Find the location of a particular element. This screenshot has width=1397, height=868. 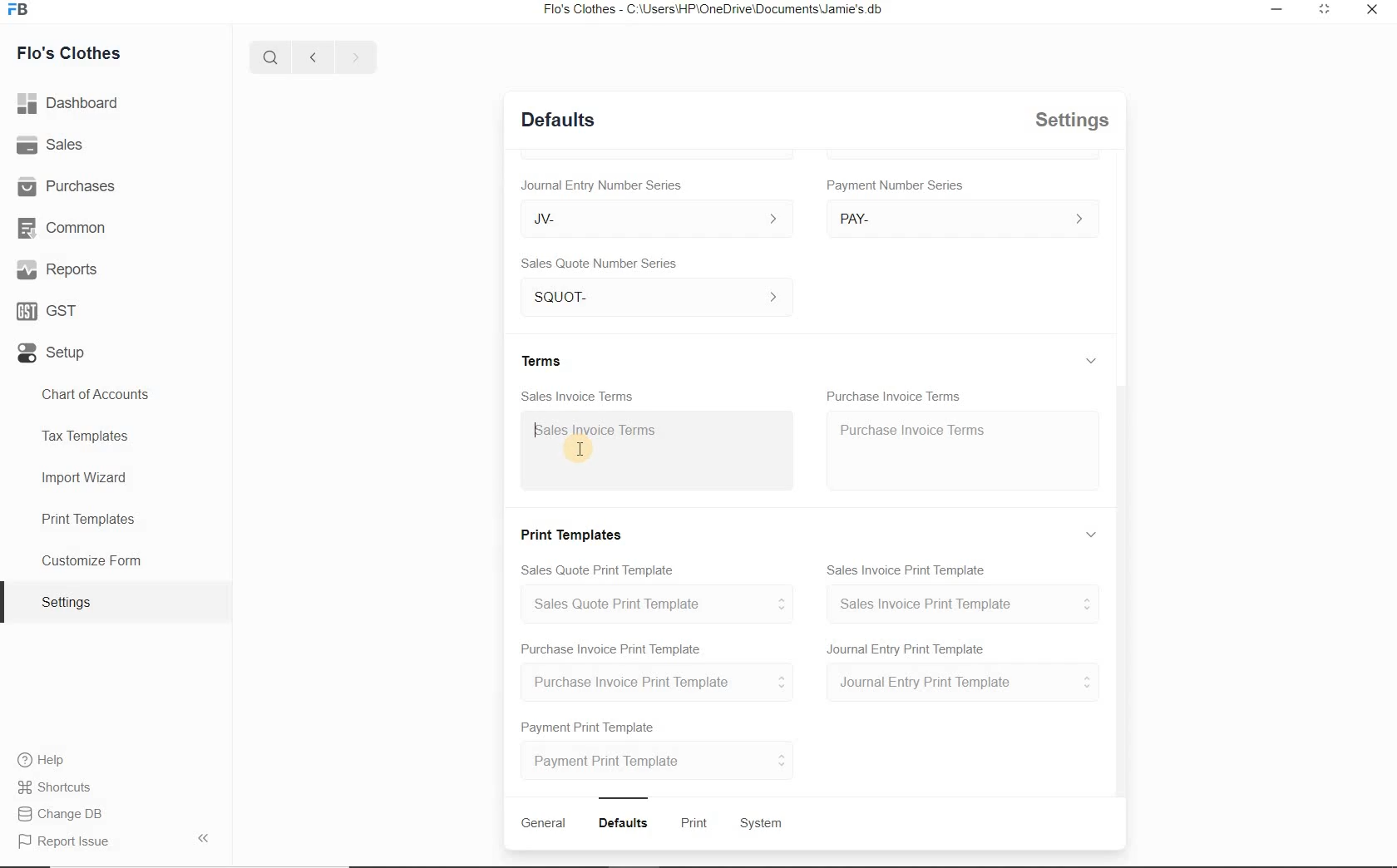

General is located at coordinates (543, 823).